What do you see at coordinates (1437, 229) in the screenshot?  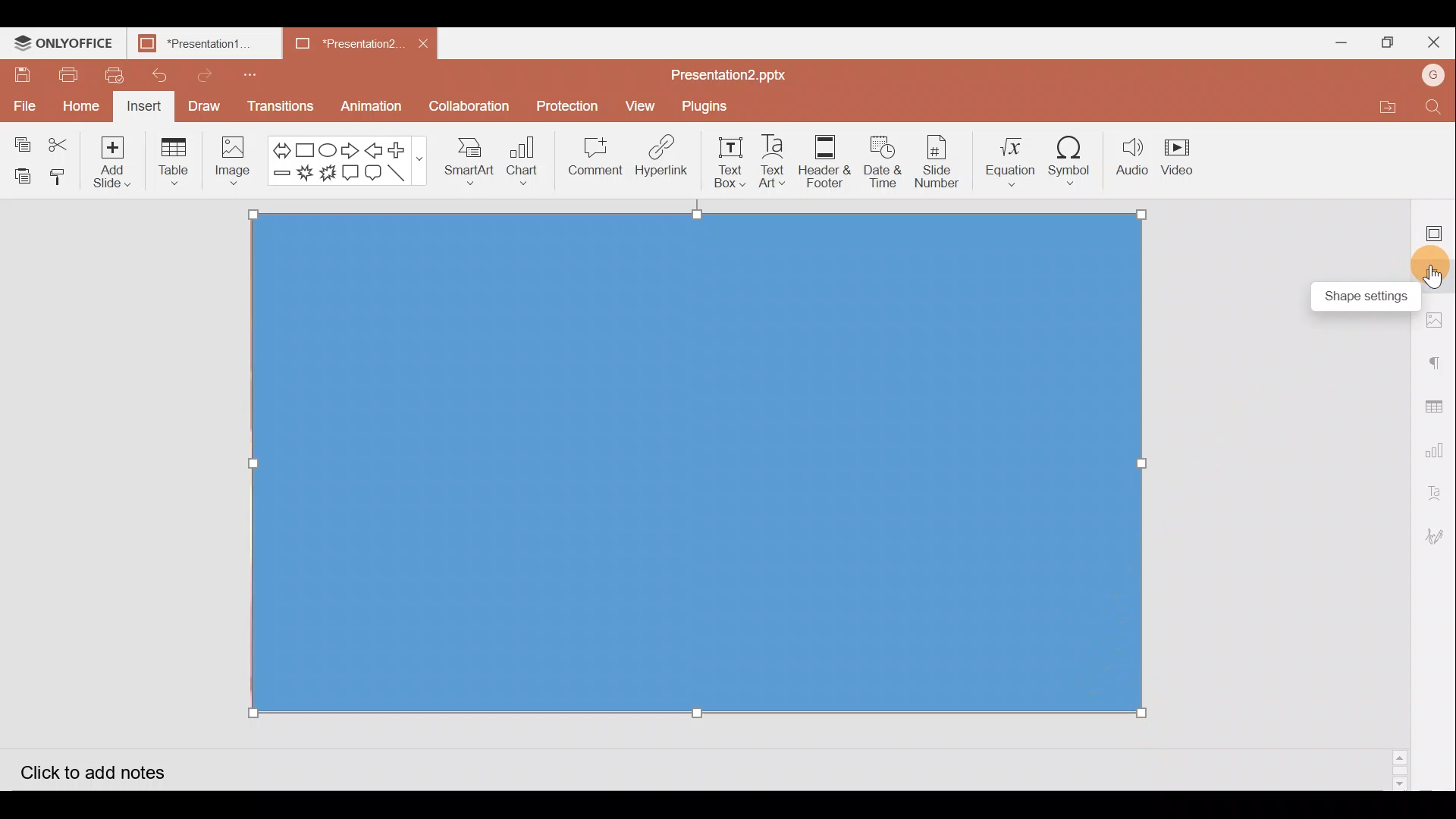 I see `Slide settings` at bounding box center [1437, 229].